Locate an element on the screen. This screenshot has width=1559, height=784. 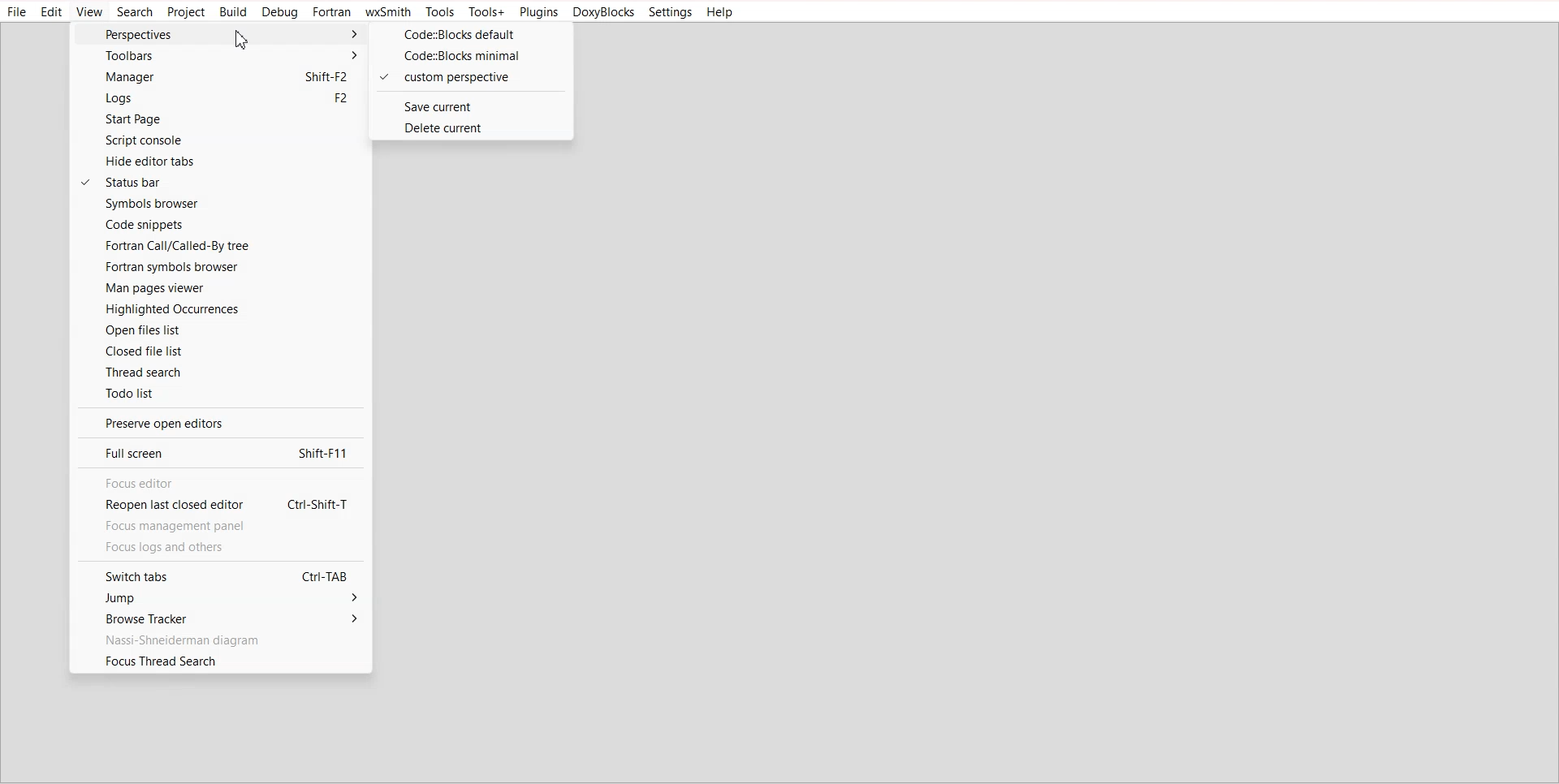
Preserve open editors is located at coordinates (217, 423).